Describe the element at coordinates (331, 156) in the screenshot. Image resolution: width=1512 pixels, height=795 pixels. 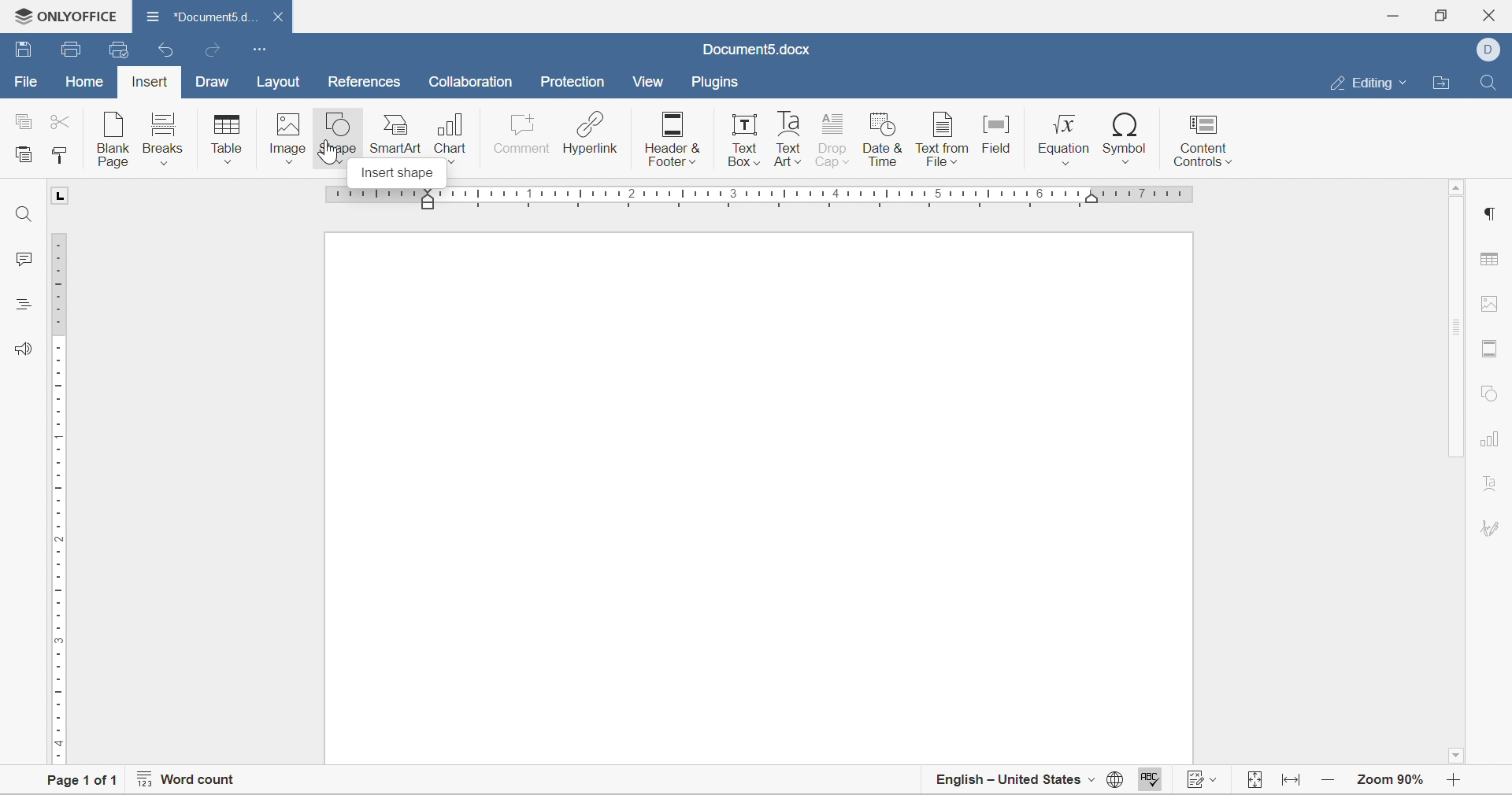
I see `cursor ` at that location.